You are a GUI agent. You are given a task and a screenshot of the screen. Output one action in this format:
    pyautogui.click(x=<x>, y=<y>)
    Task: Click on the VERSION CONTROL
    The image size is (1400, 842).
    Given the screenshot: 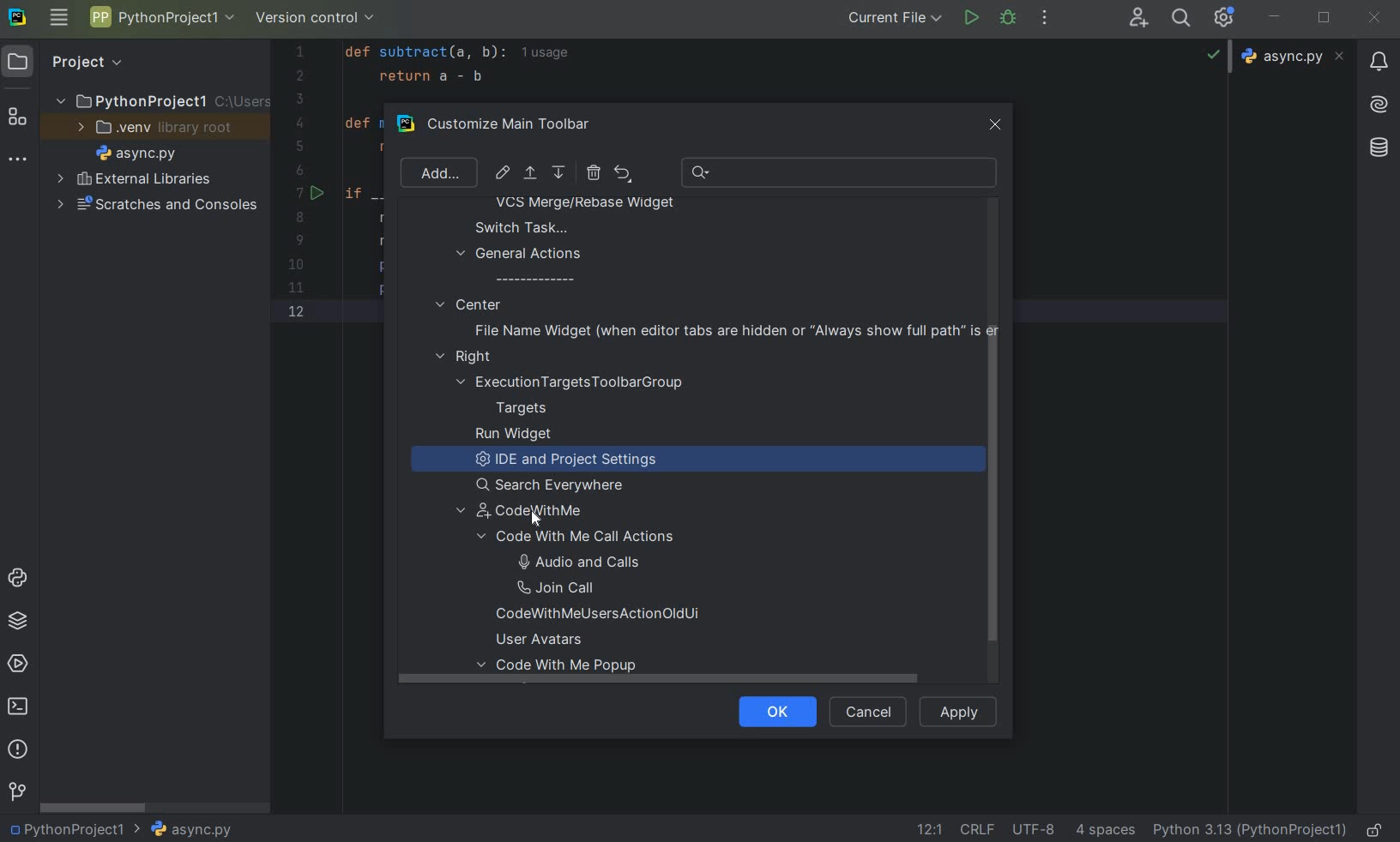 What is the action you would take?
    pyautogui.click(x=16, y=791)
    